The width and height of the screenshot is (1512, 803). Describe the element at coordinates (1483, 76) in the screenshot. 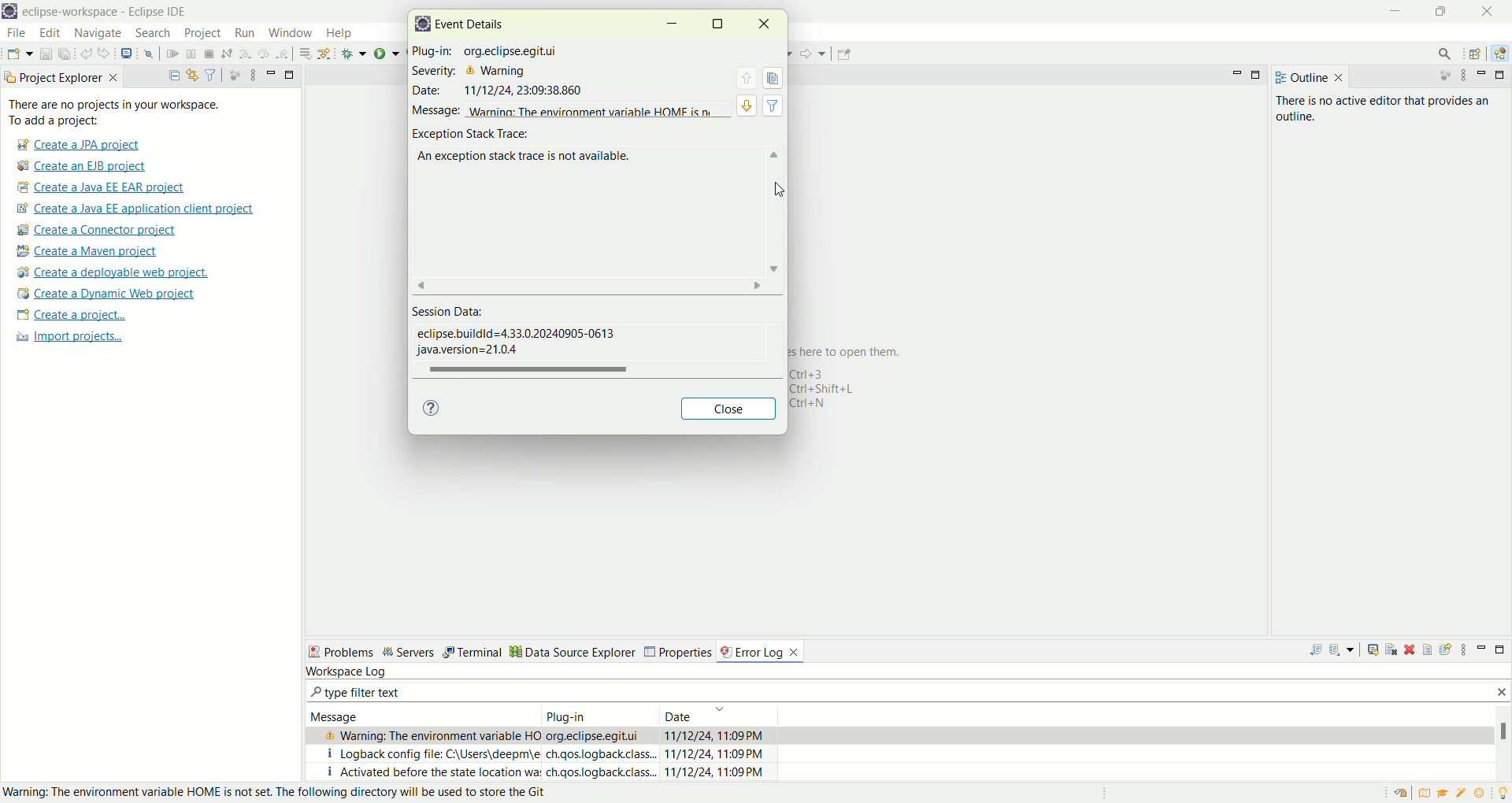

I see `minimize` at that location.